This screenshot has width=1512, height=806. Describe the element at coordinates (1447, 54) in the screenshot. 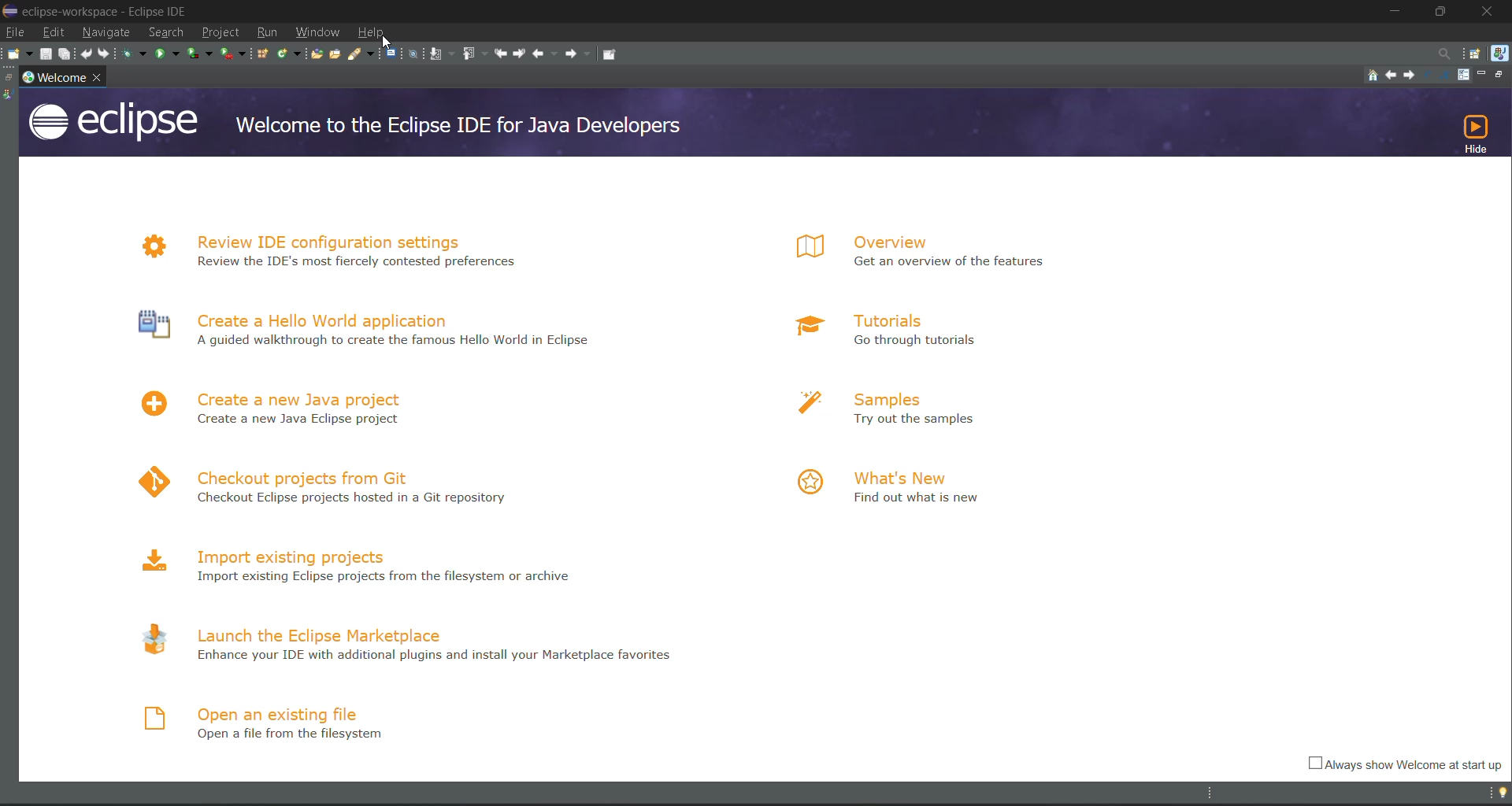

I see `access commands and other items` at that location.